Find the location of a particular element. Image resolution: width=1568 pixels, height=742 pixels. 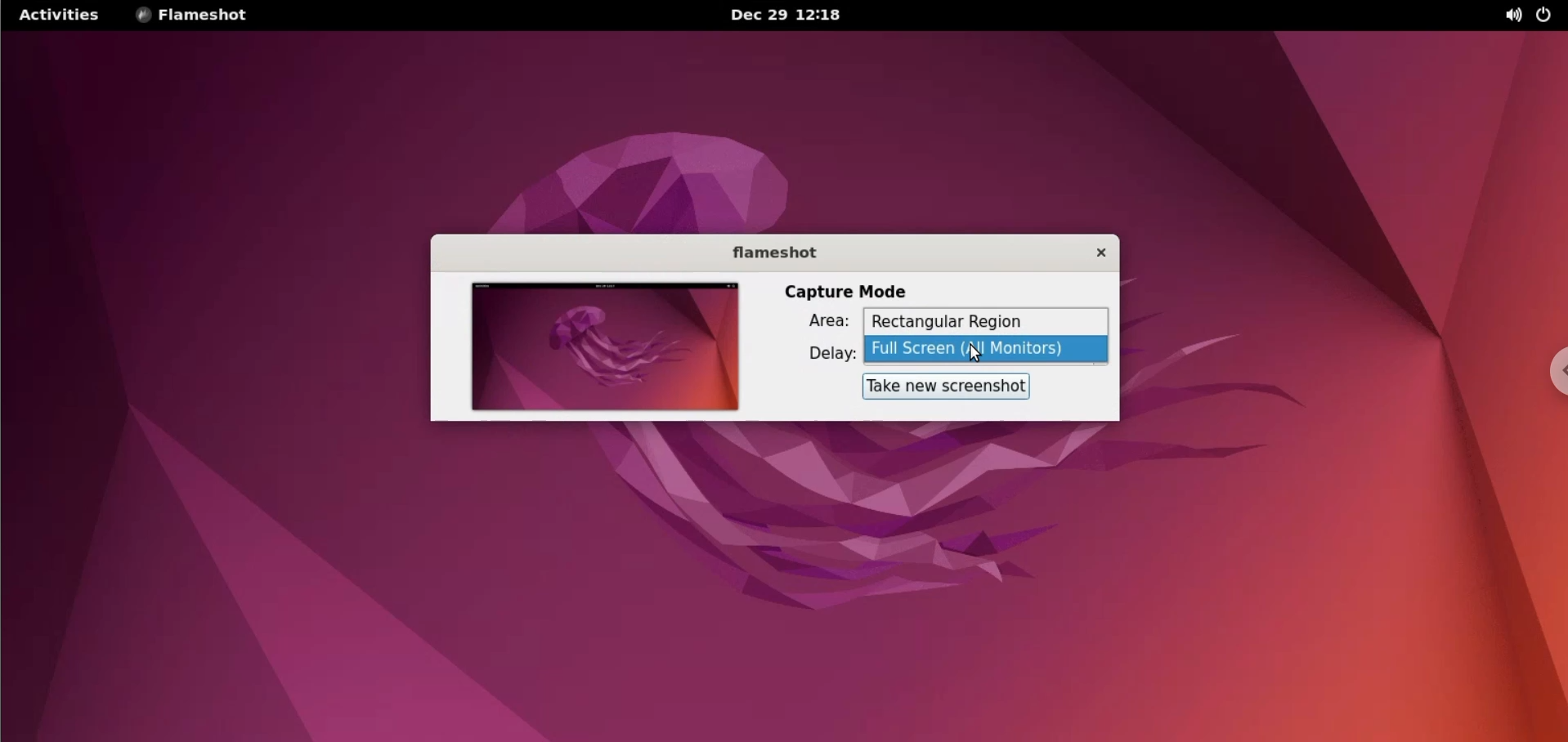

delay label is located at coordinates (825, 355).